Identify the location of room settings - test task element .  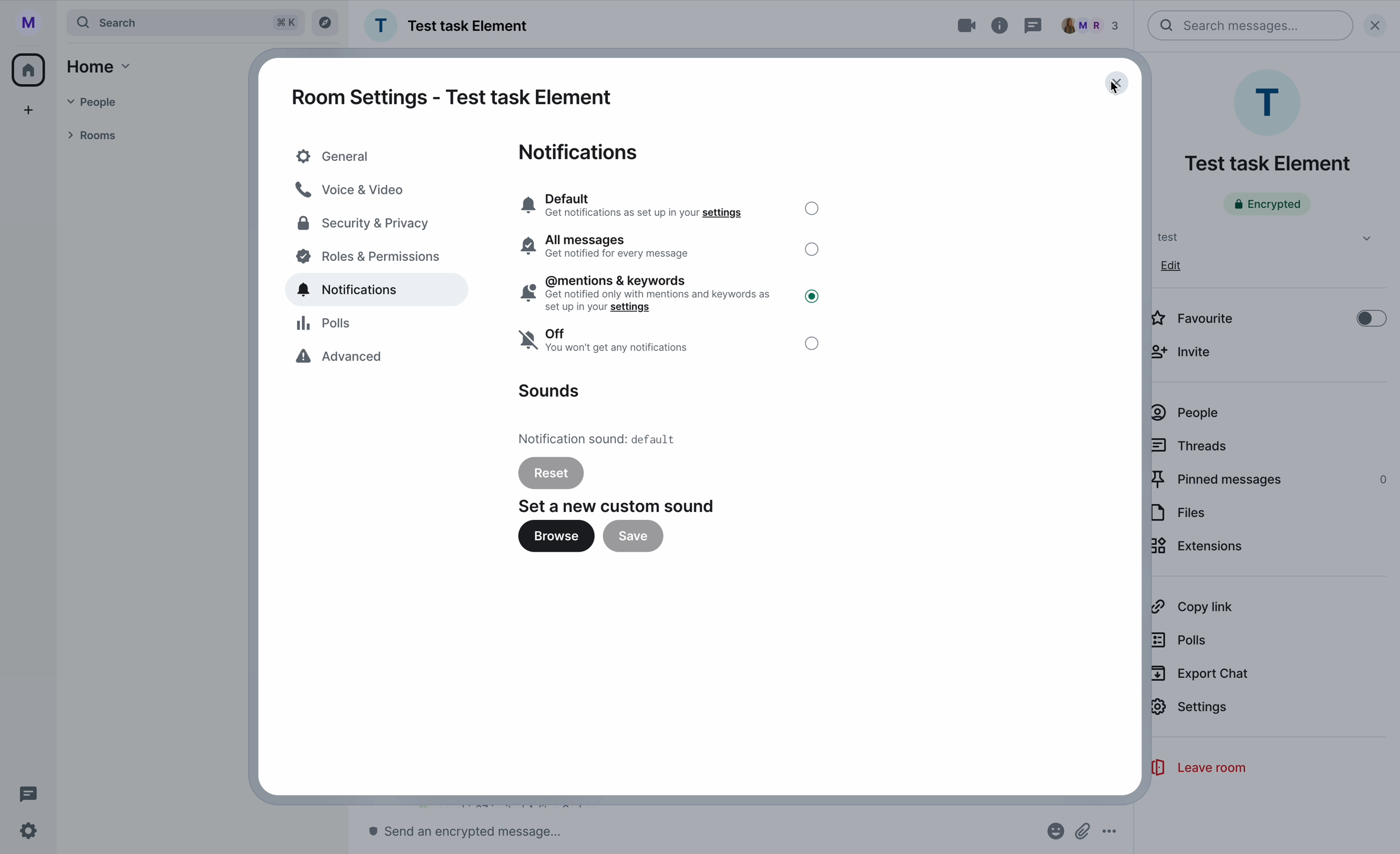
(452, 97).